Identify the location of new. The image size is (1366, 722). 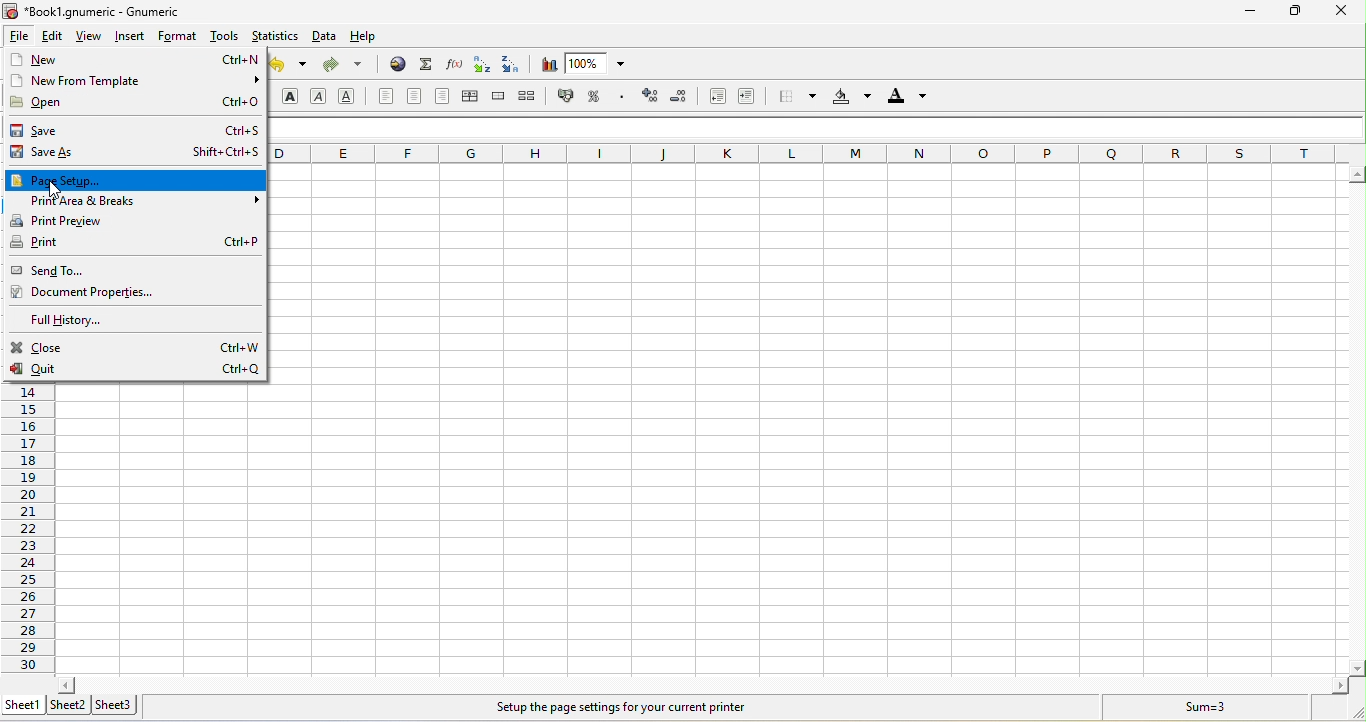
(135, 60).